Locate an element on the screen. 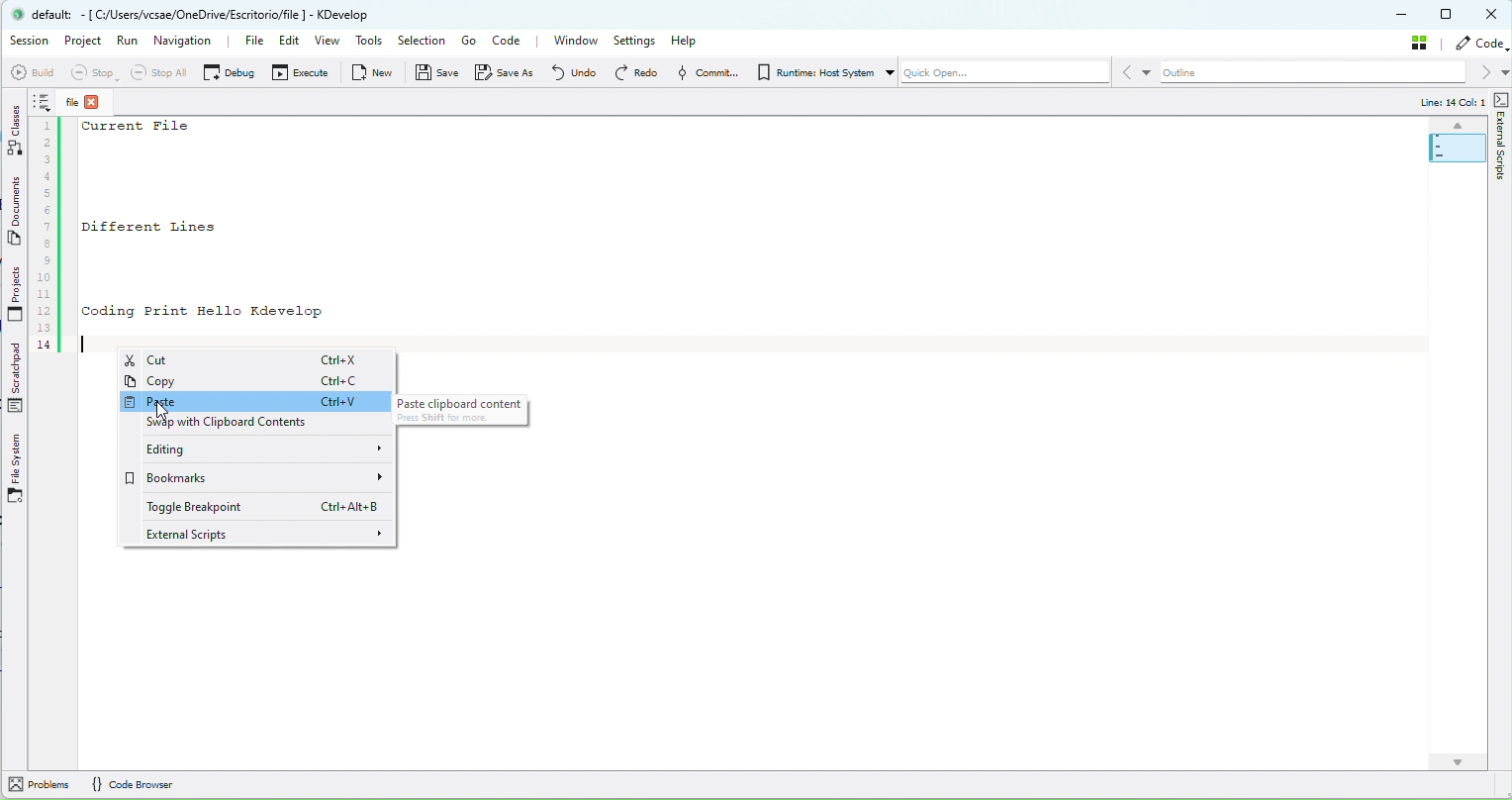 The image size is (1512, 800). Session is located at coordinates (30, 41).